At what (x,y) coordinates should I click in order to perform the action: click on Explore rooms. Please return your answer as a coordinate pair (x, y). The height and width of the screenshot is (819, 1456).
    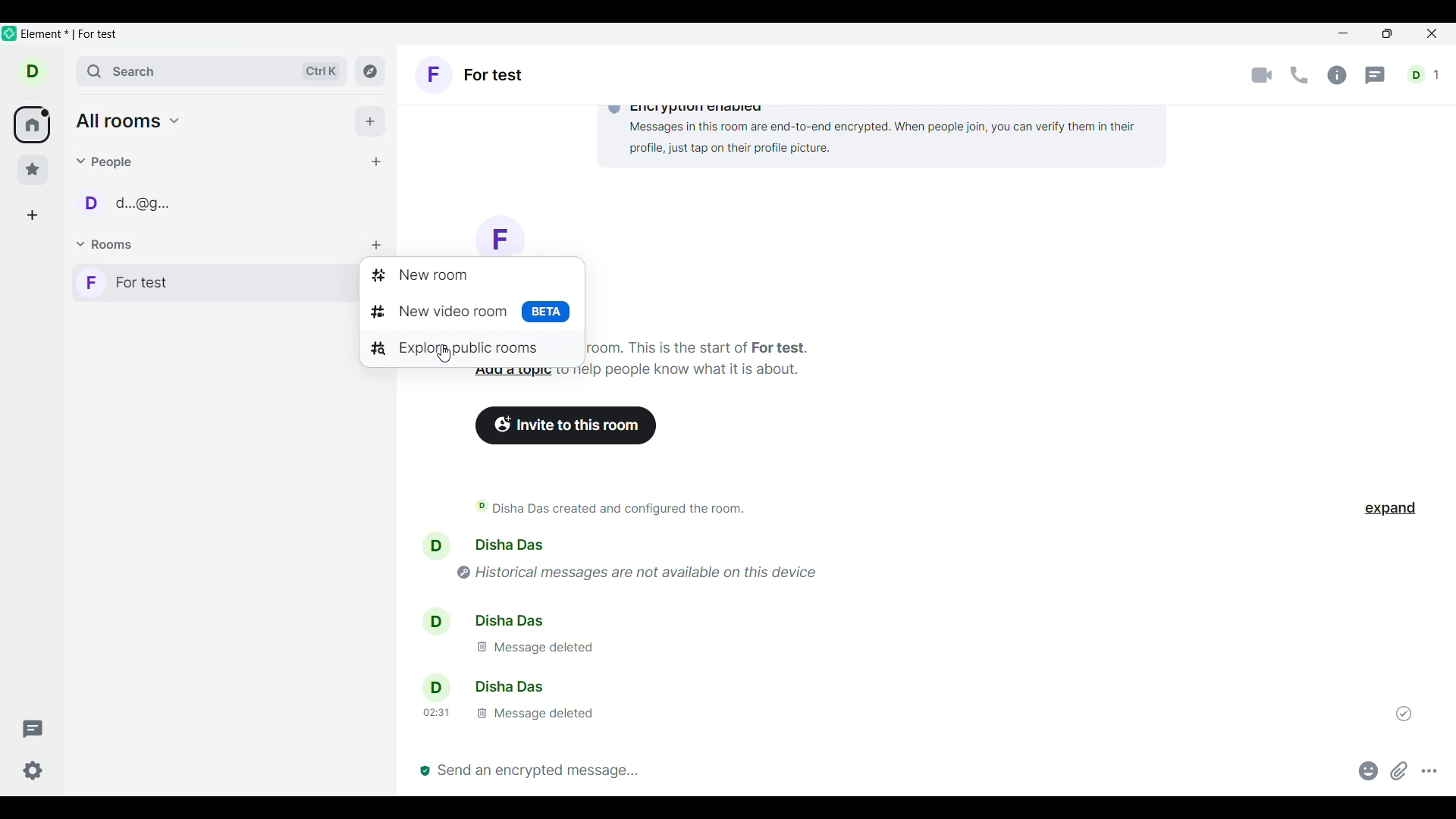
    Looking at the image, I should click on (370, 71).